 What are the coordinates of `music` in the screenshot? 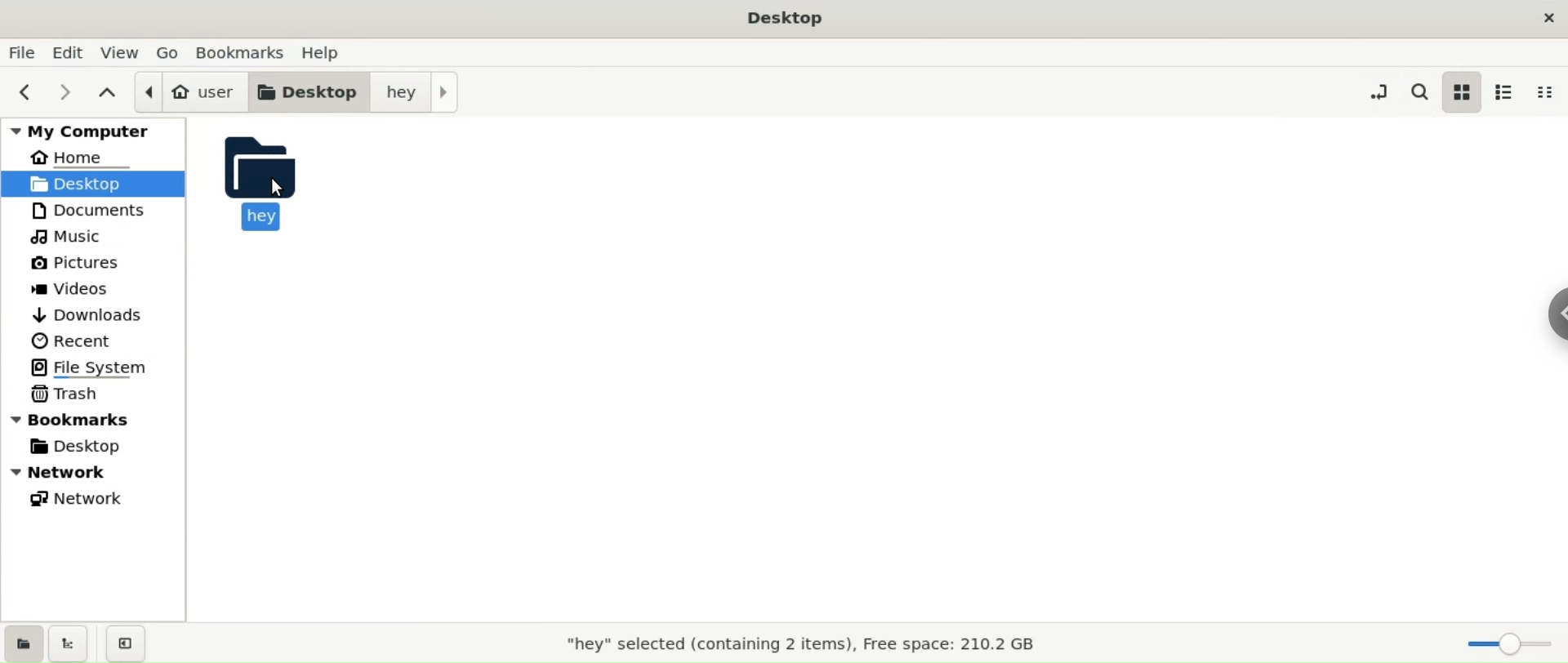 It's located at (67, 235).